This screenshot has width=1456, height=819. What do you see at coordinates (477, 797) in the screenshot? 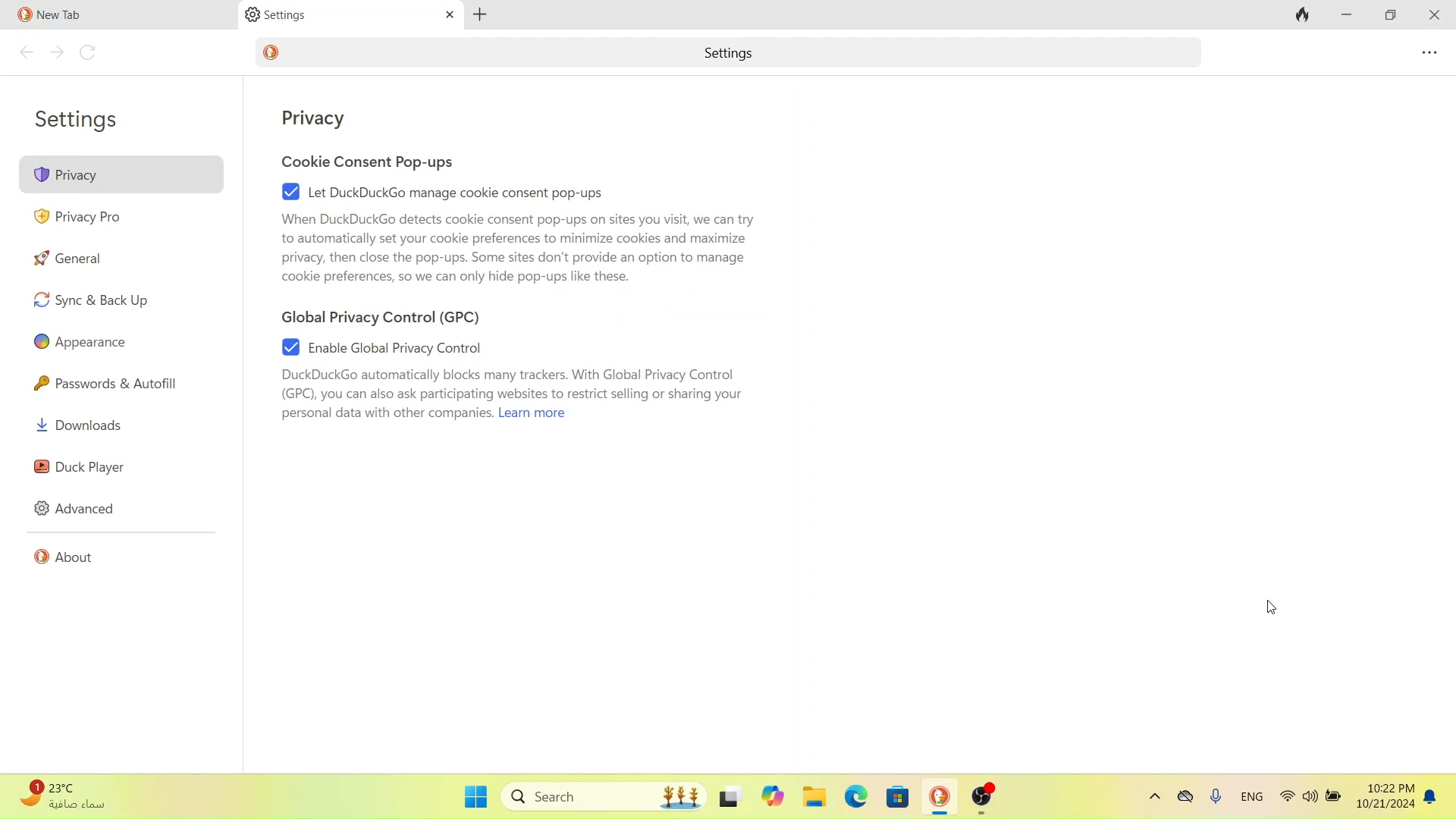
I see `start` at bounding box center [477, 797].